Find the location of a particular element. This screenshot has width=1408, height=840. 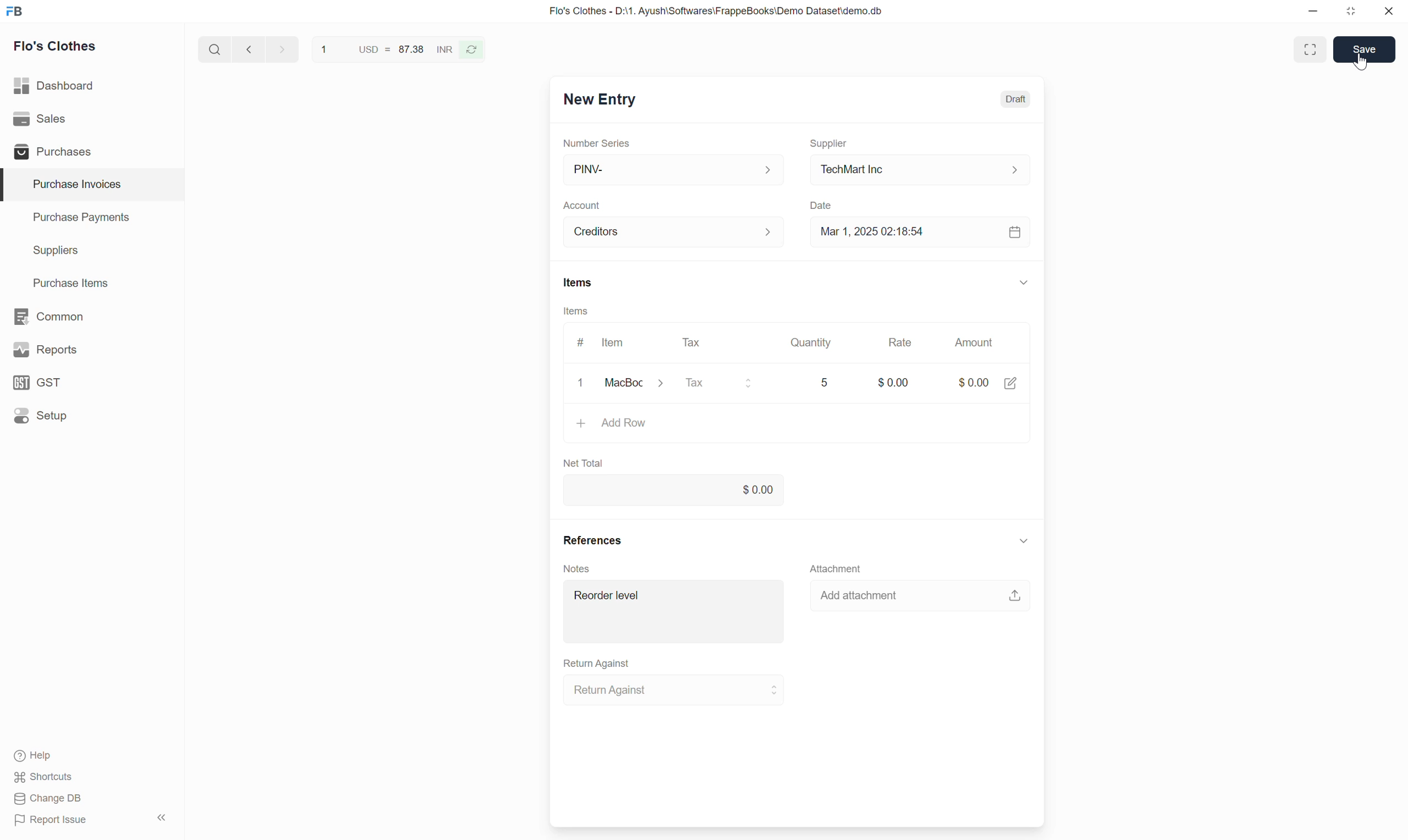

TechMart Inc is located at coordinates (921, 170).